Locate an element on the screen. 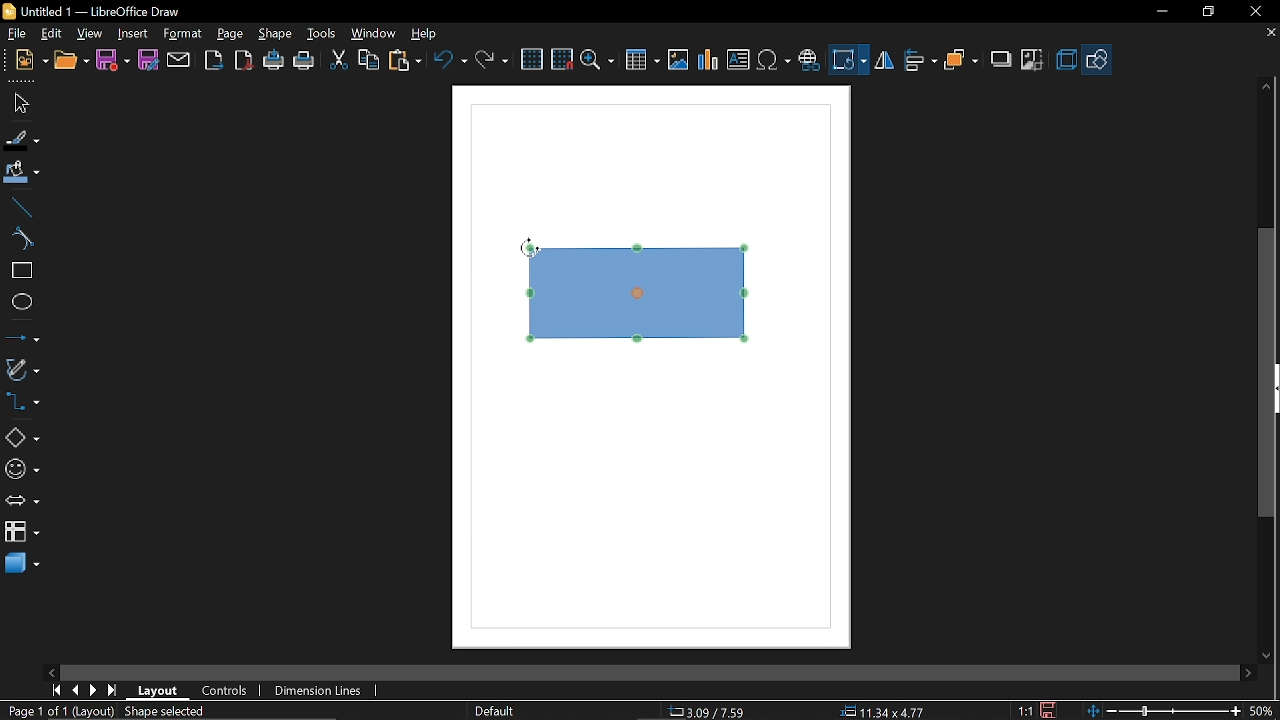  basic shapes is located at coordinates (22, 438).